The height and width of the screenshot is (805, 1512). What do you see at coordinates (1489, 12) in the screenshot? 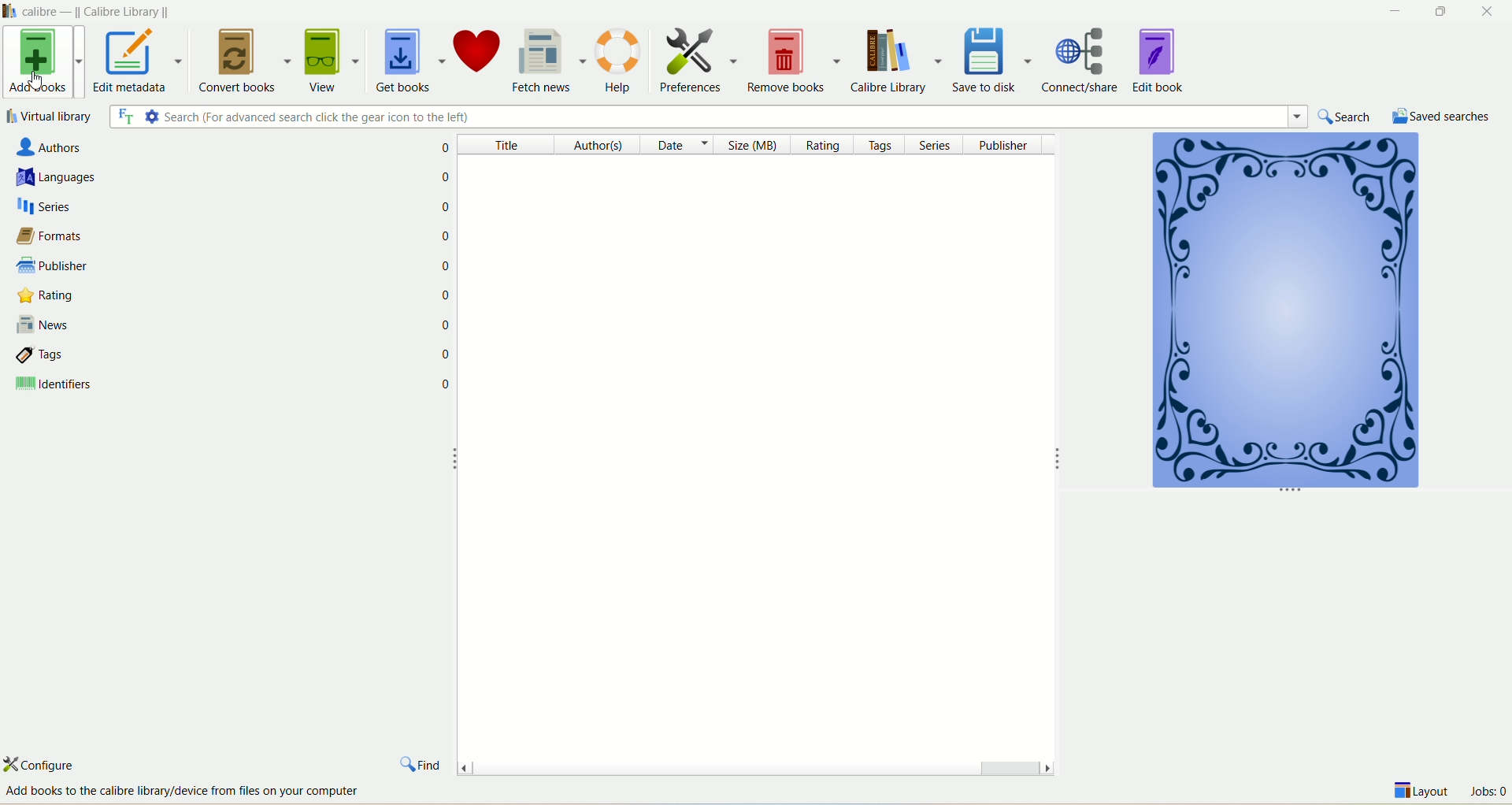
I see `close` at bounding box center [1489, 12].